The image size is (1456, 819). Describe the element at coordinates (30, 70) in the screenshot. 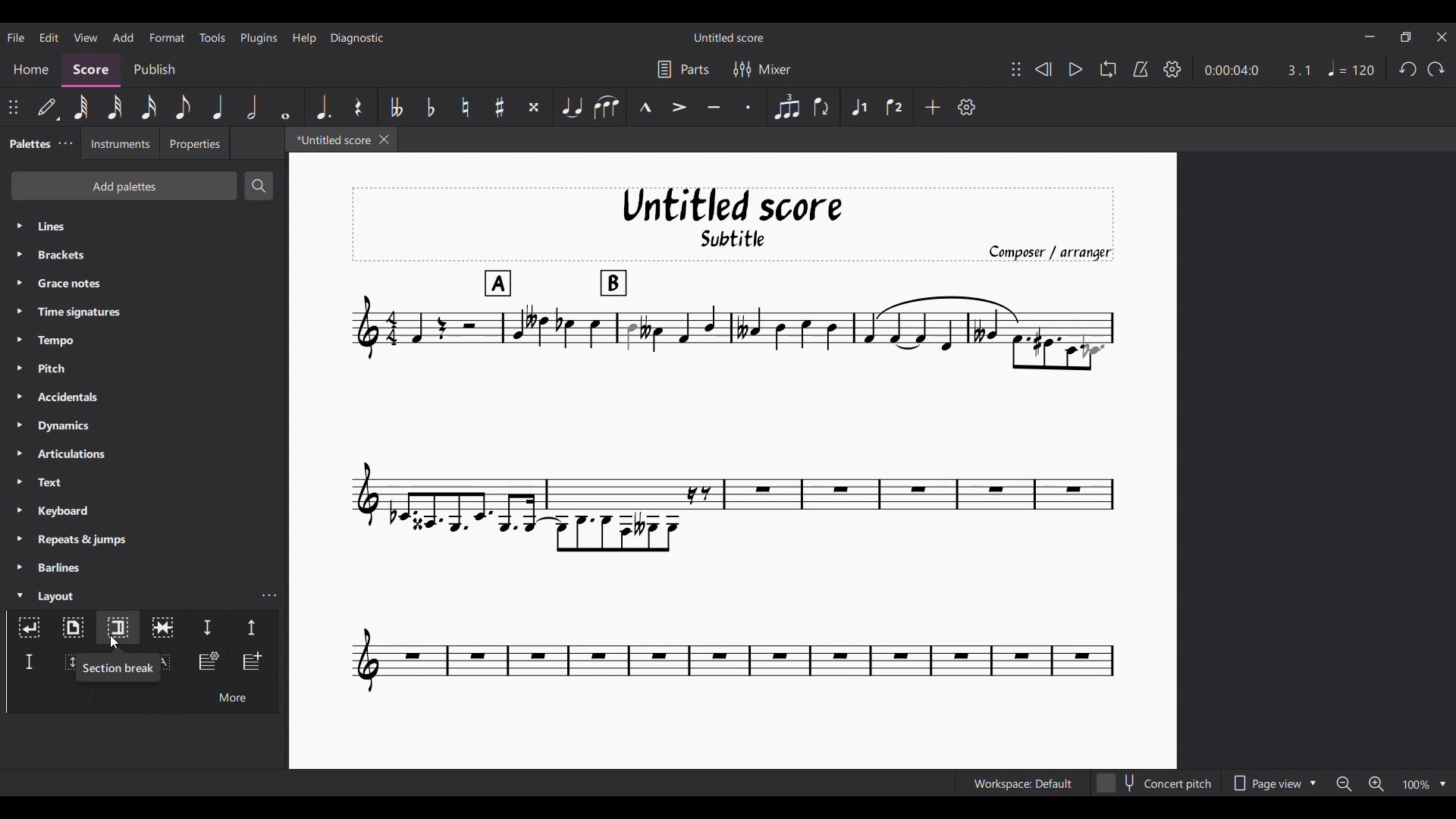

I see `Home section` at that location.